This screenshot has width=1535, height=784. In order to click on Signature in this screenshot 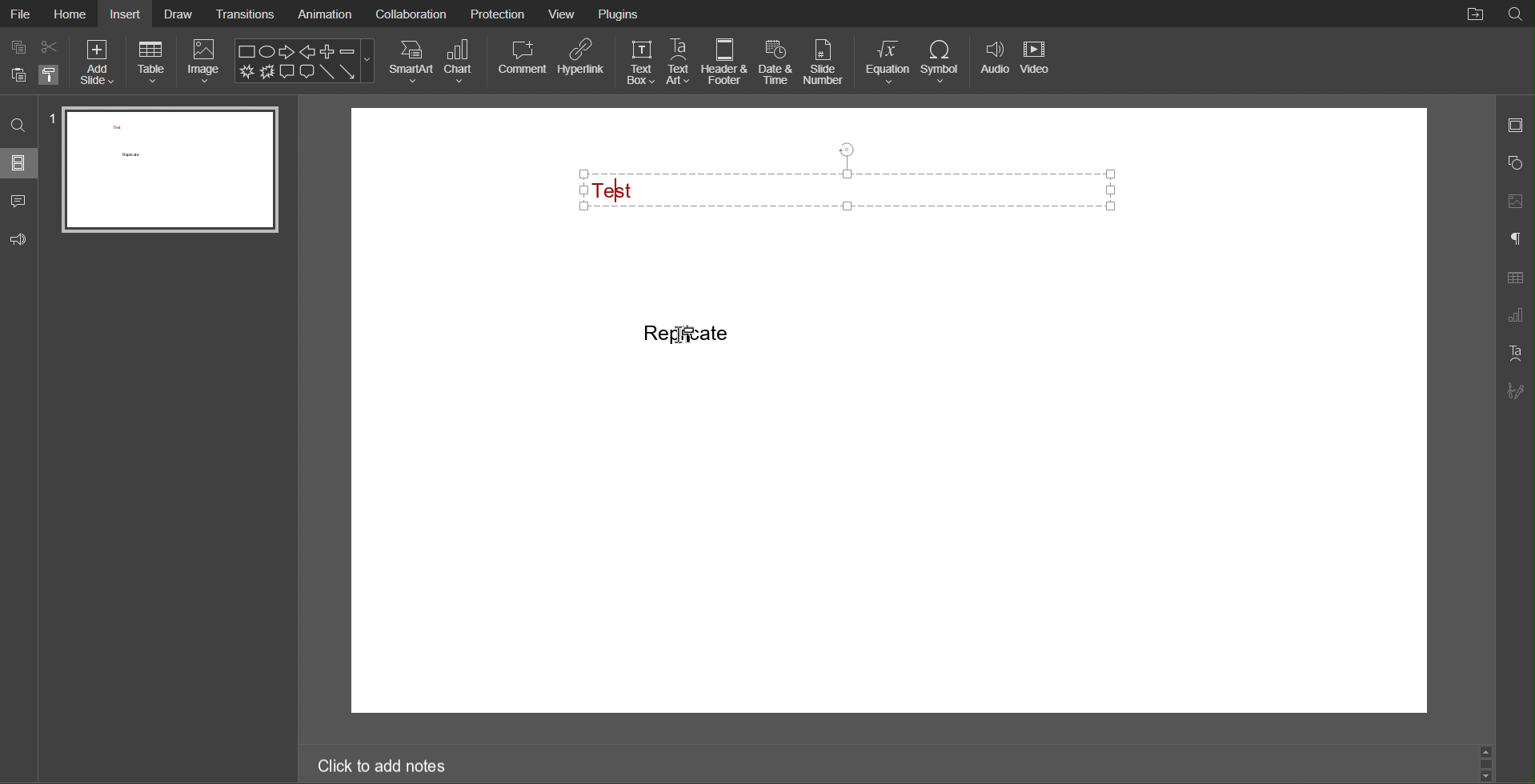, I will do `click(1515, 390)`.